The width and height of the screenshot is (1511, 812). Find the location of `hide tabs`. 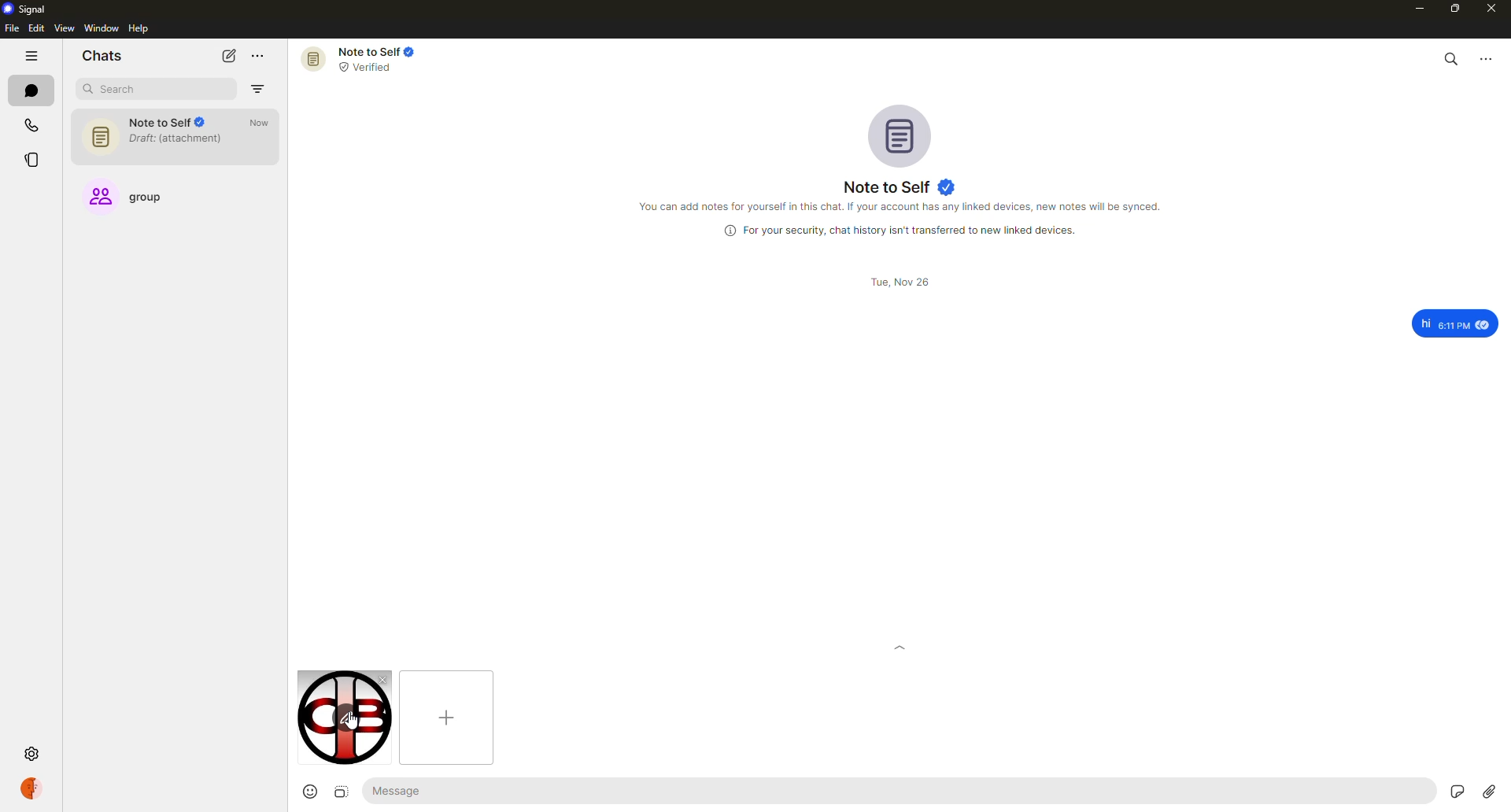

hide tabs is located at coordinates (31, 57).